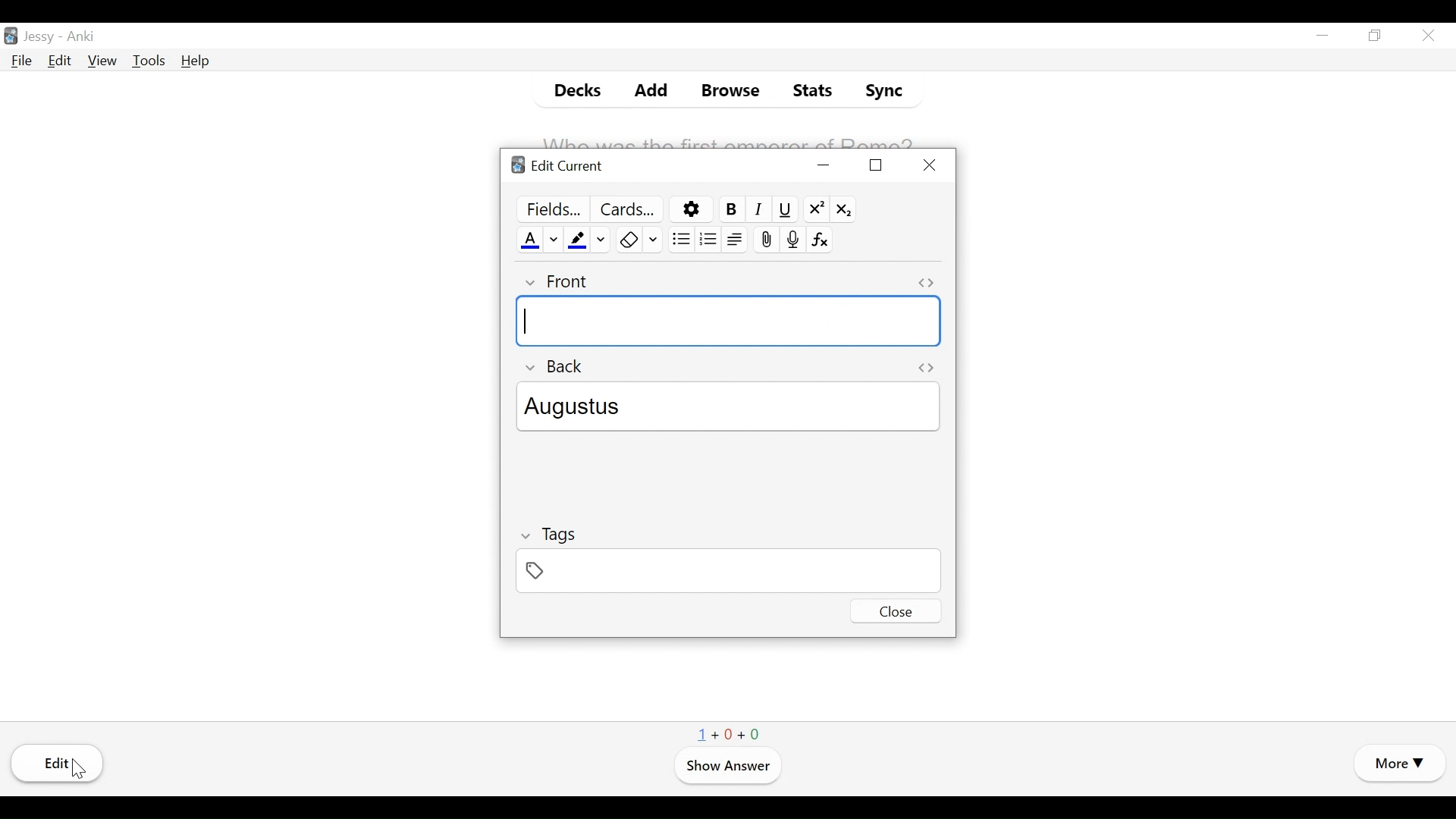 The image size is (1456, 819). What do you see at coordinates (641, 90) in the screenshot?
I see `Add` at bounding box center [641, 90].